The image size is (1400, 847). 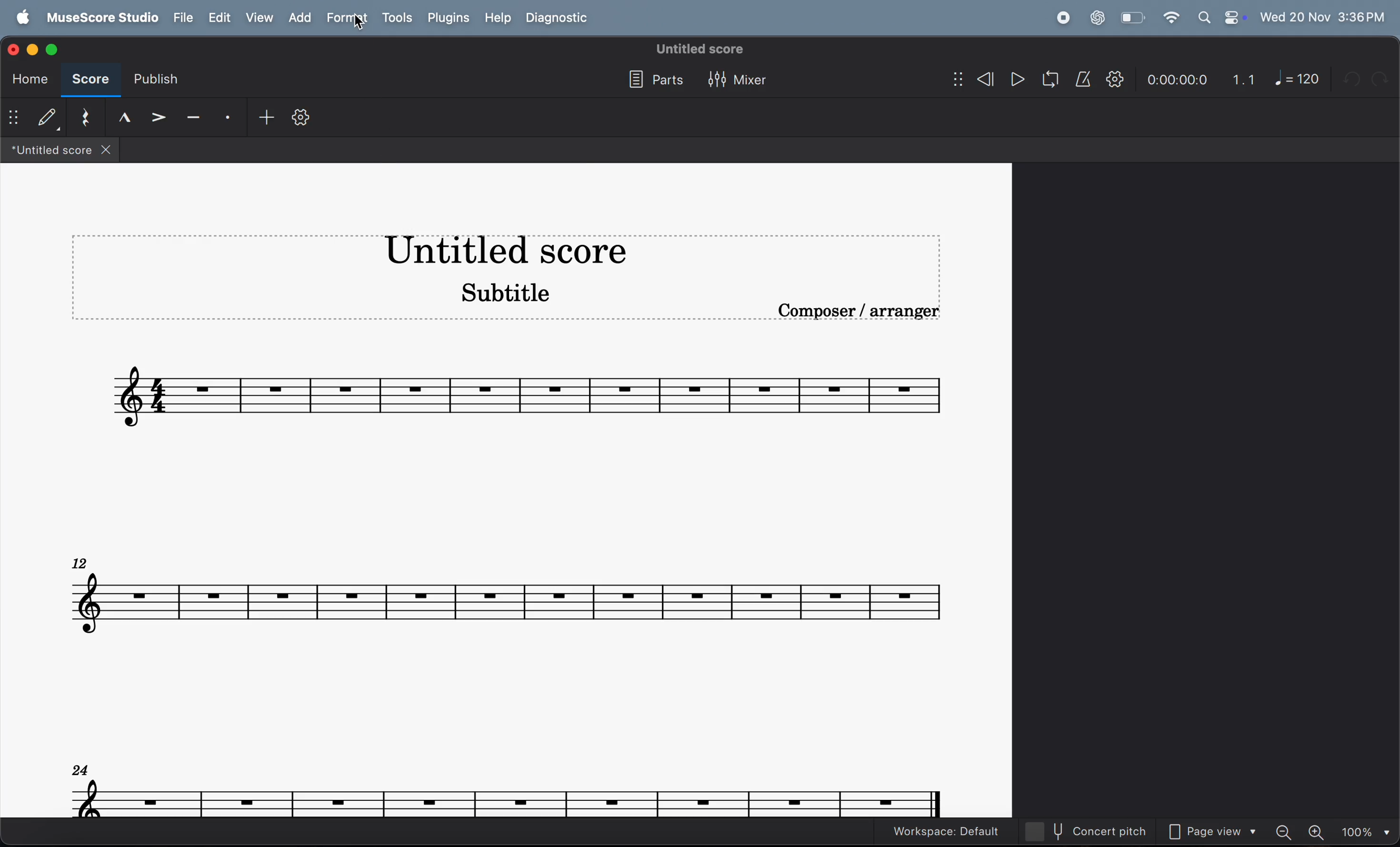 I want to click on time frame, so click(x=1176, y=81).